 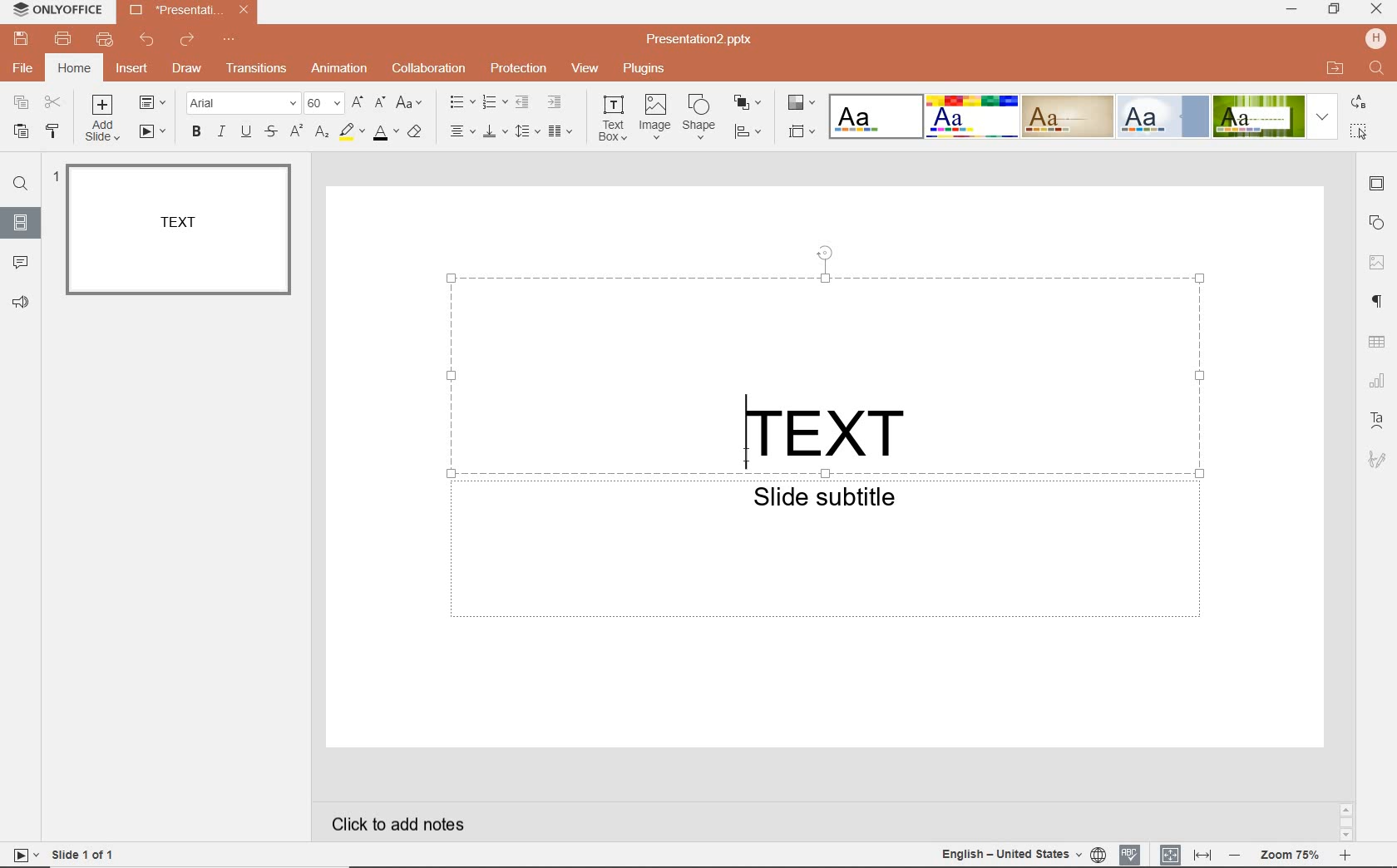 I want to click on star slide show, so click(x=22, y=854).